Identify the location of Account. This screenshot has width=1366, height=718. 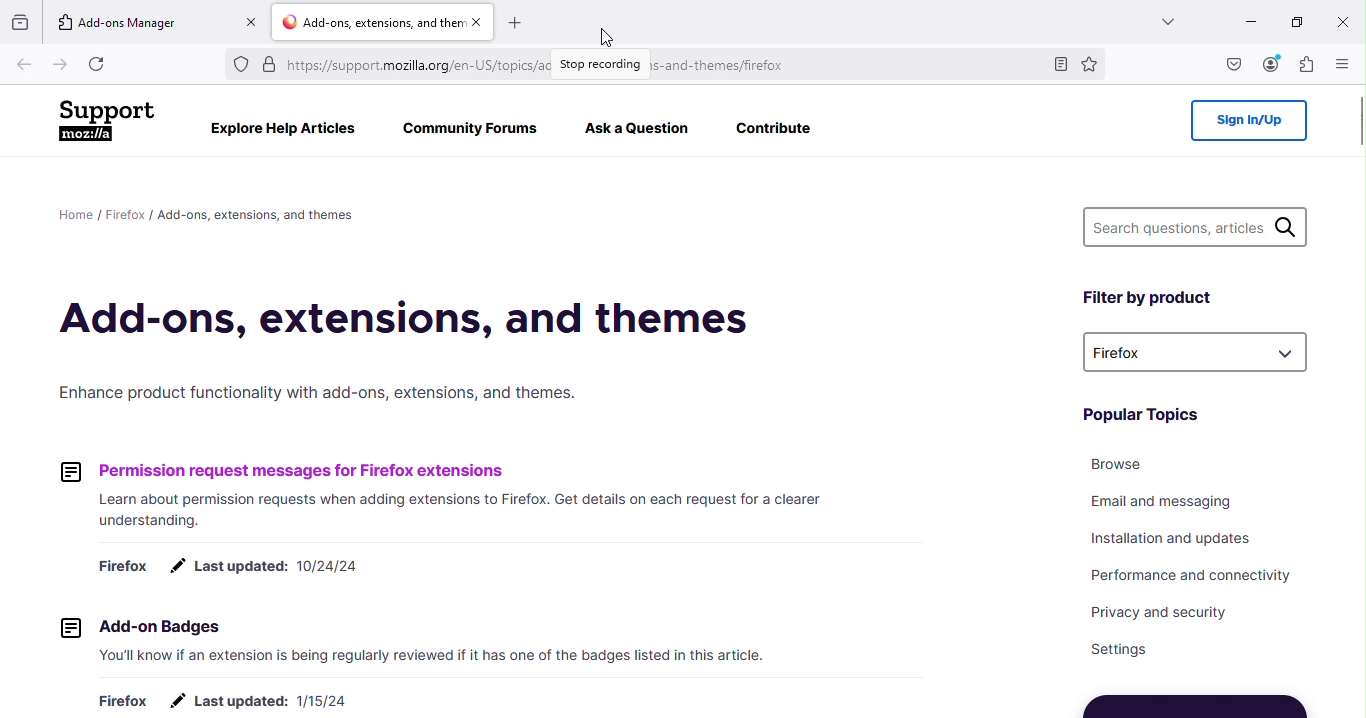
(1267, 65).